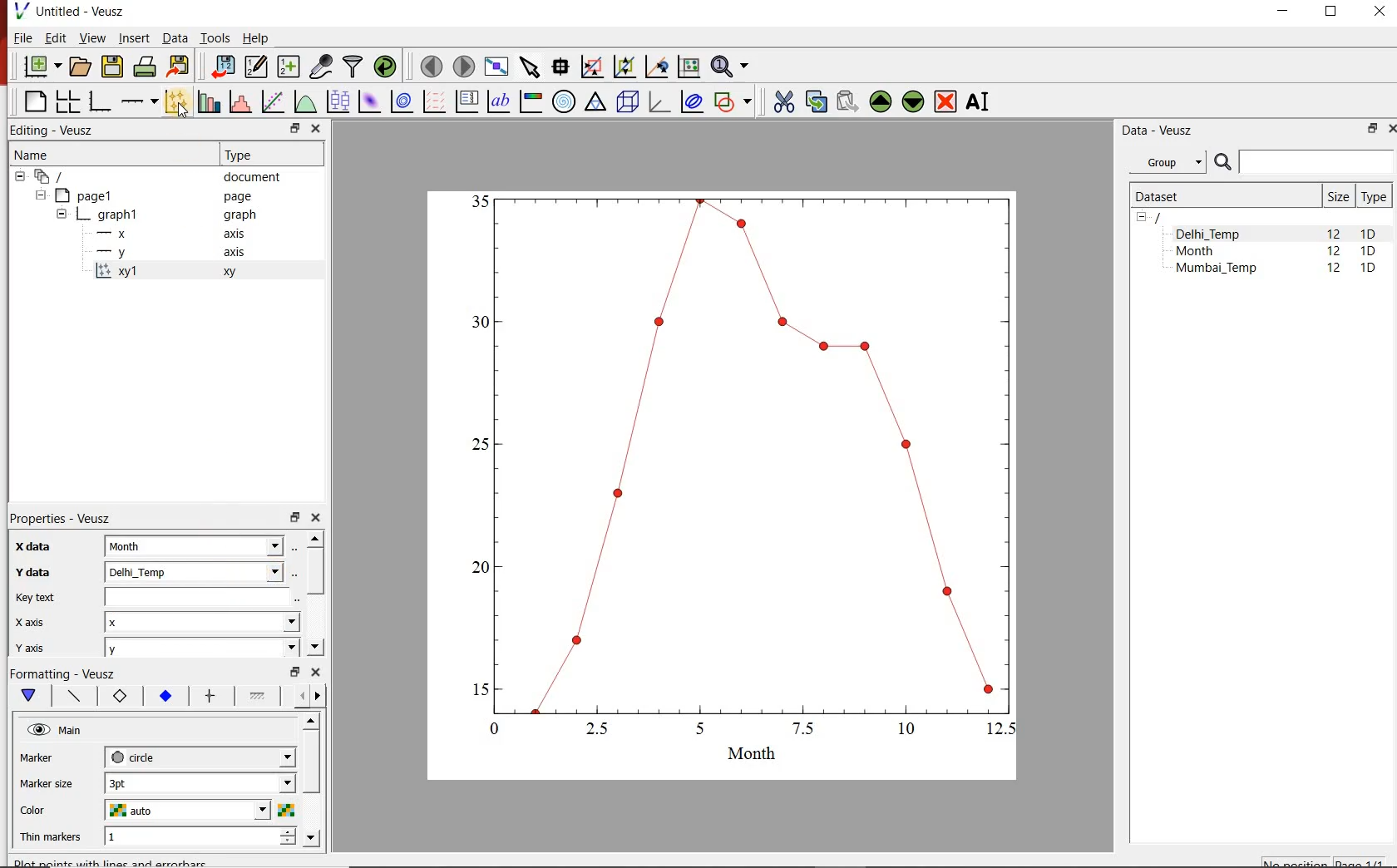  What do you see at coordinates (1390, 129) in the screenshot?
I see `CLOSE` at bounding box center [1390, 129].